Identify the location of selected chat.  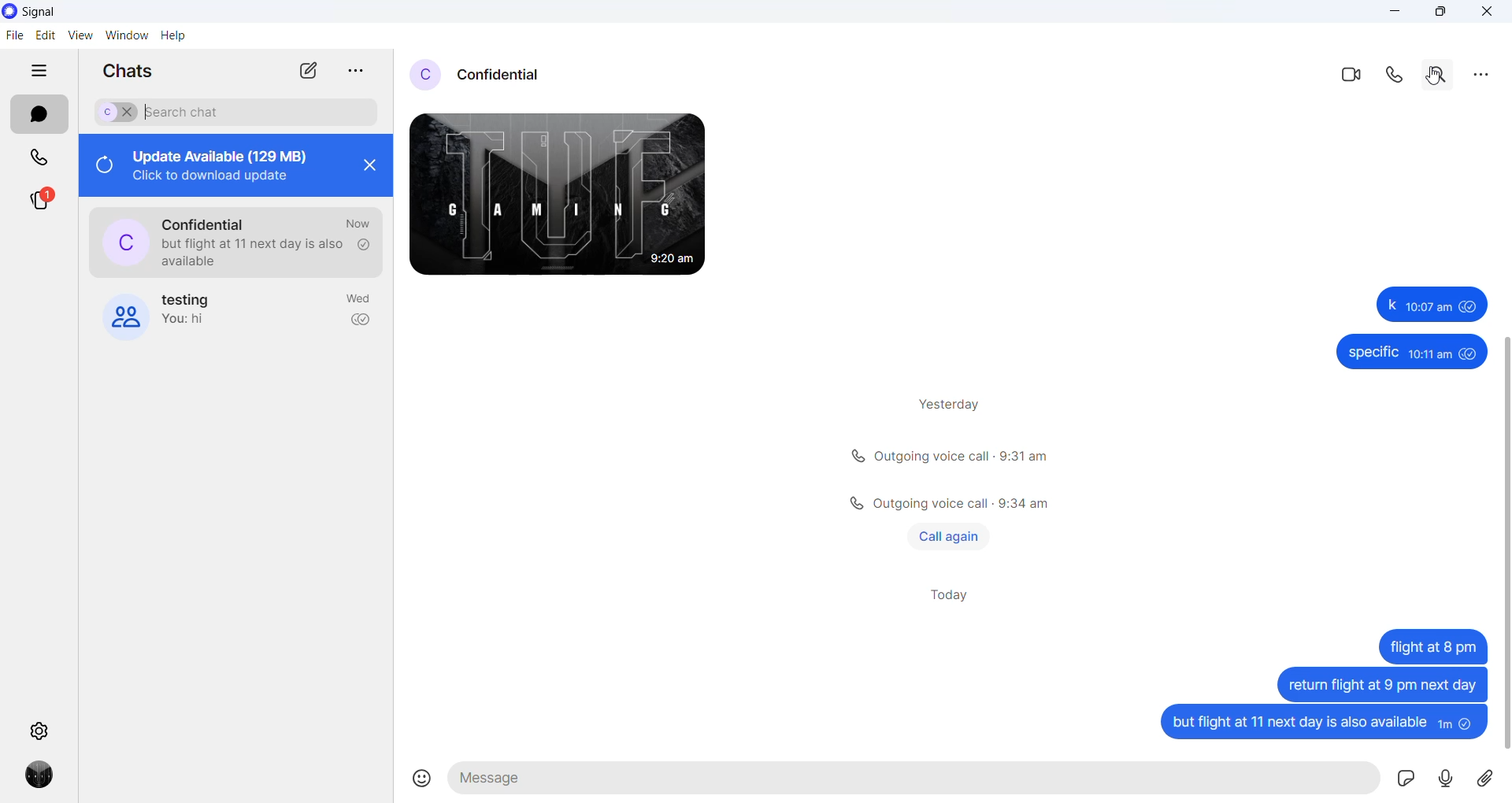
(114, 112).